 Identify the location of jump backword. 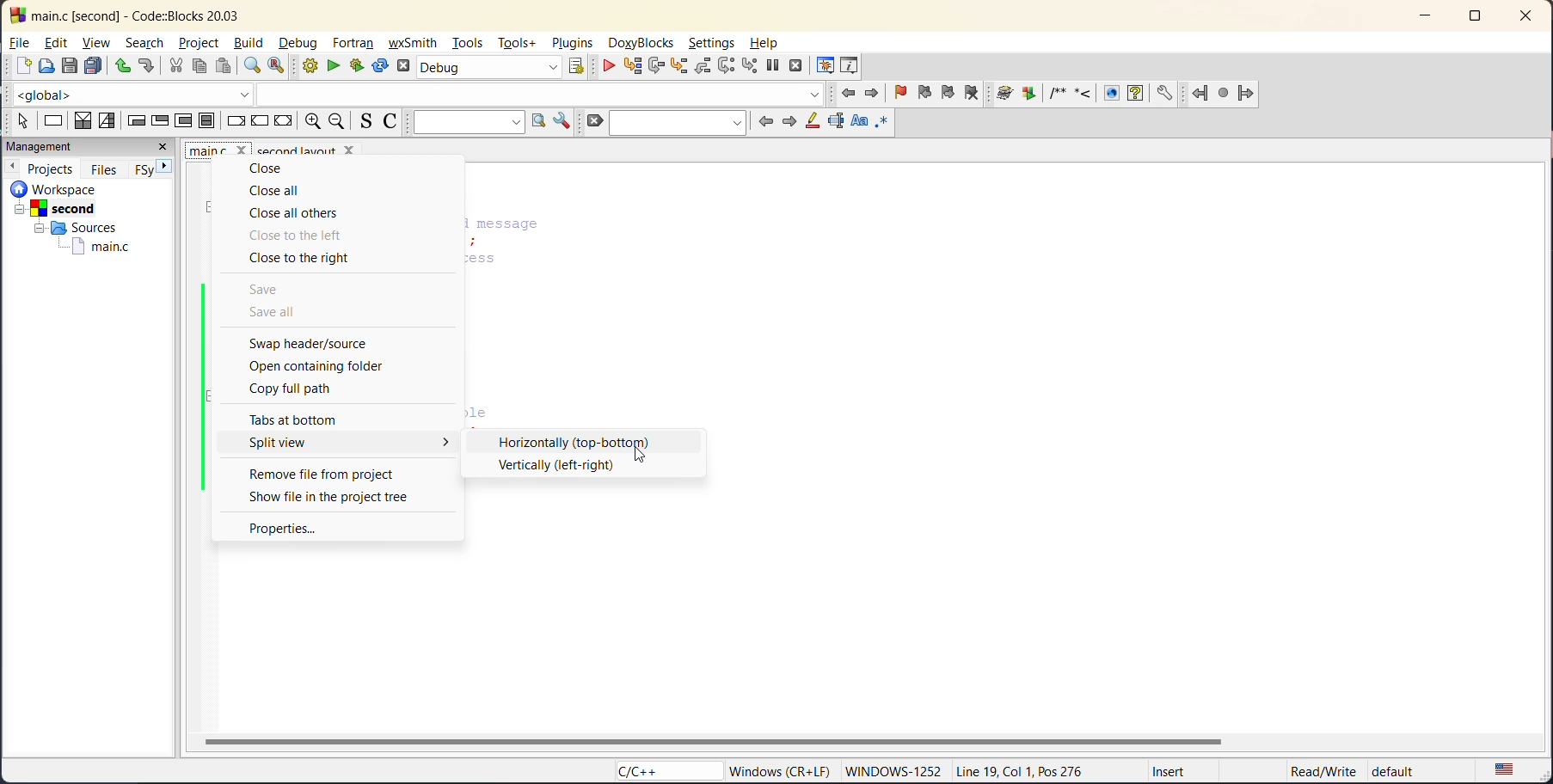
(1200, 91).